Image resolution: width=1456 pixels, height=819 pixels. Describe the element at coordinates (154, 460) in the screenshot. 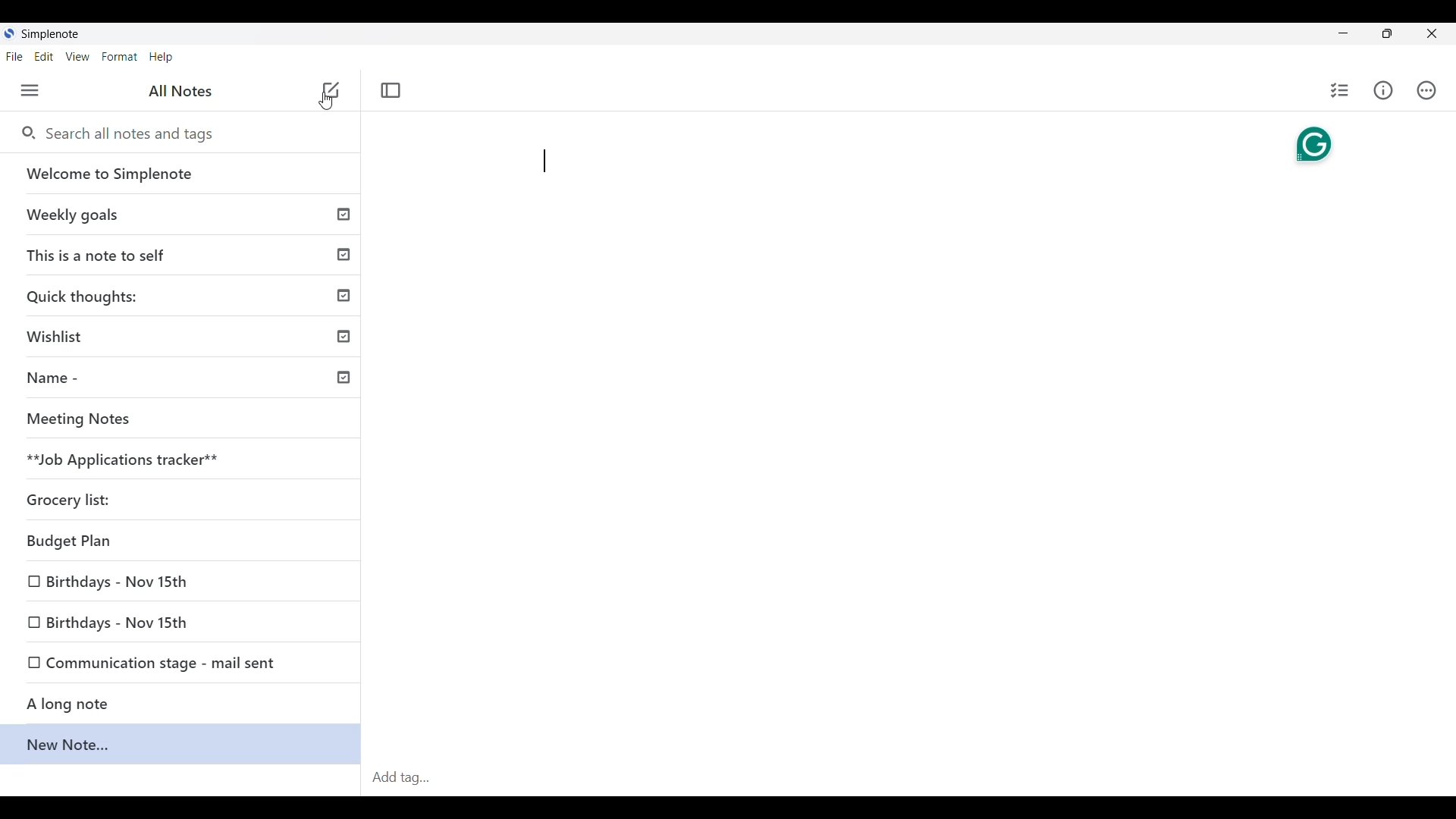

I see `**Job Applications tracker**` at that location.